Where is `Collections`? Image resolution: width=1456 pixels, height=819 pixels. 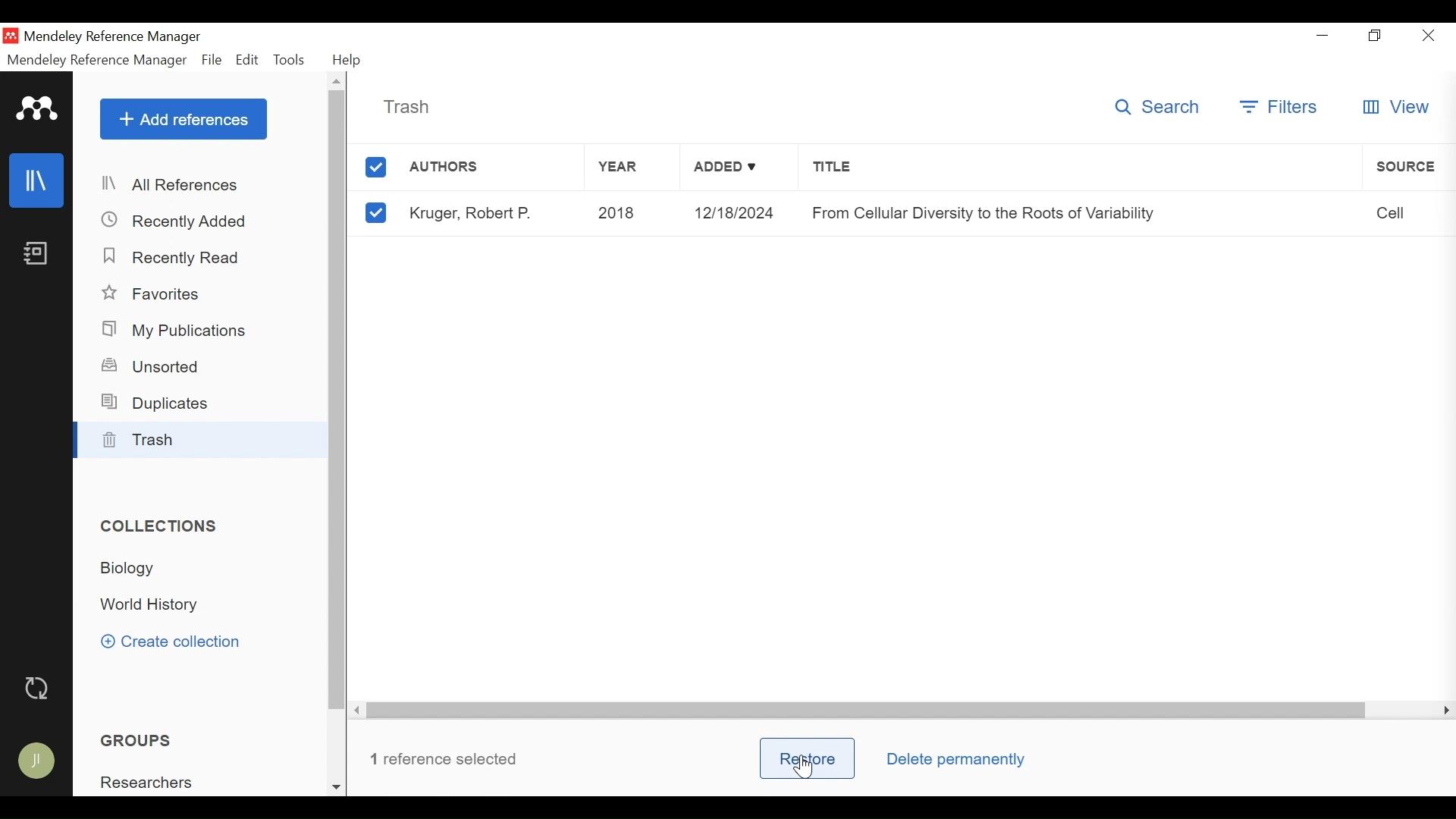
Collections is located at coordinates (162, 526).